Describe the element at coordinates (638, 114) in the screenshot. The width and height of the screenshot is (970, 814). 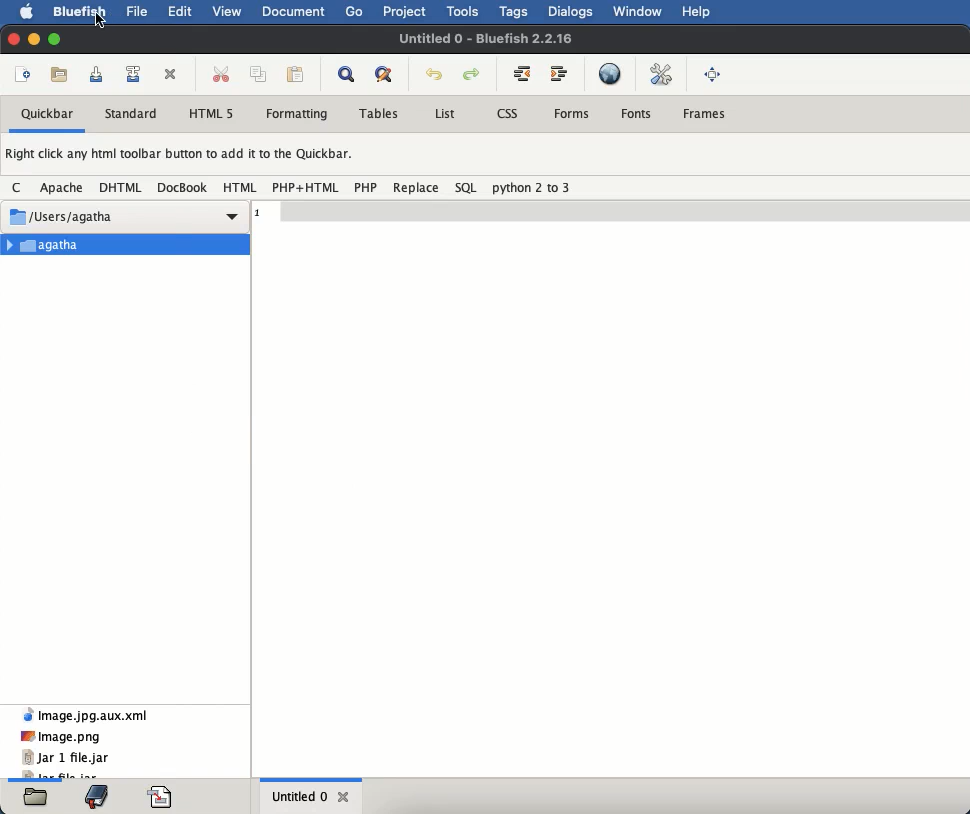
I see `fonts` at that location.